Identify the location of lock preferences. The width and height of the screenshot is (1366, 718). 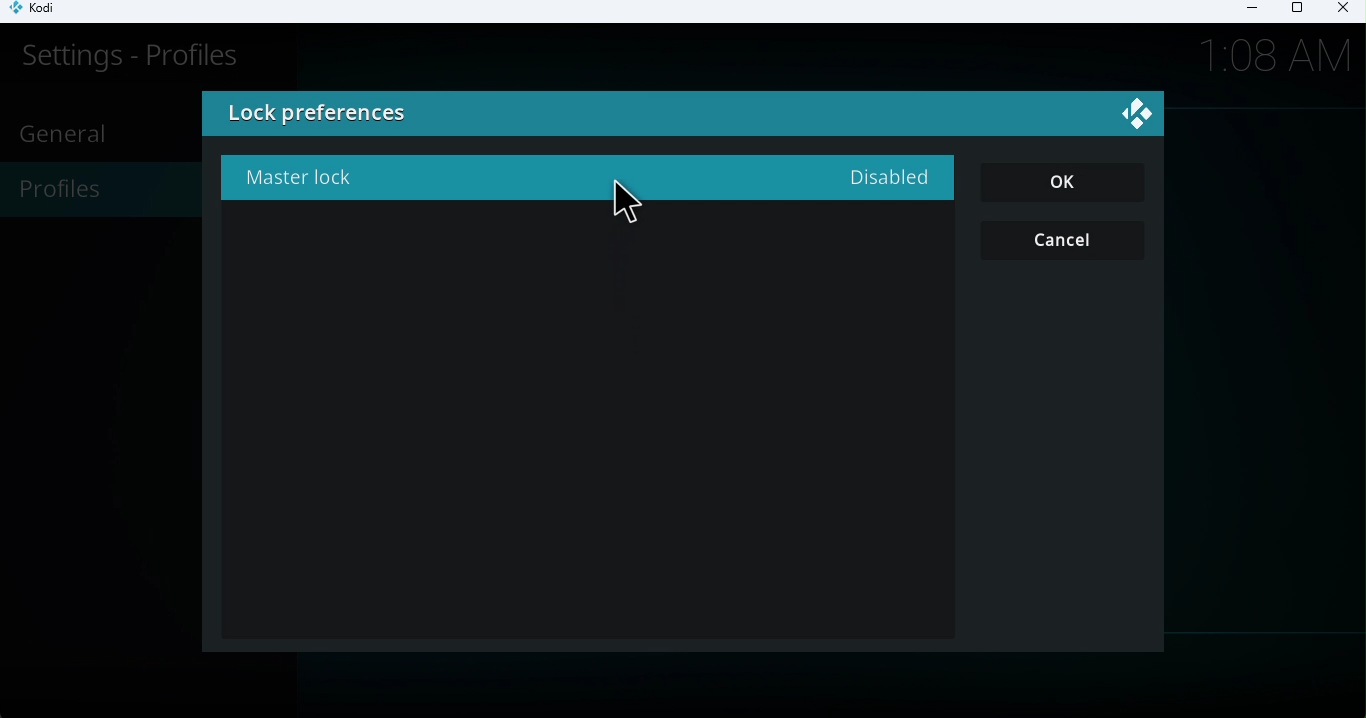
(470, 116).